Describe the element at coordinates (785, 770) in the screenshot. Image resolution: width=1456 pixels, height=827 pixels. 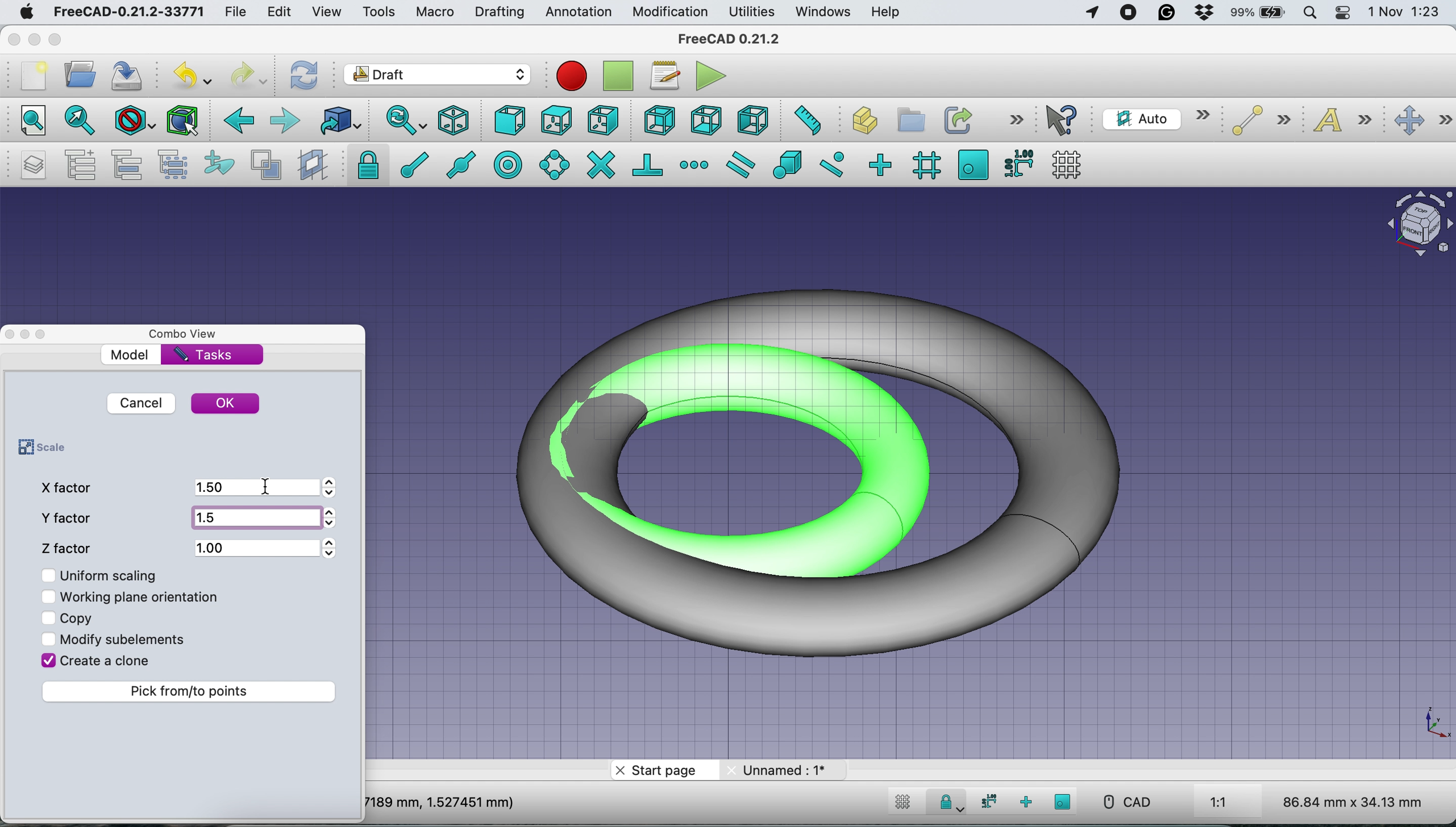
I see `unnamed: 1*` at that location.